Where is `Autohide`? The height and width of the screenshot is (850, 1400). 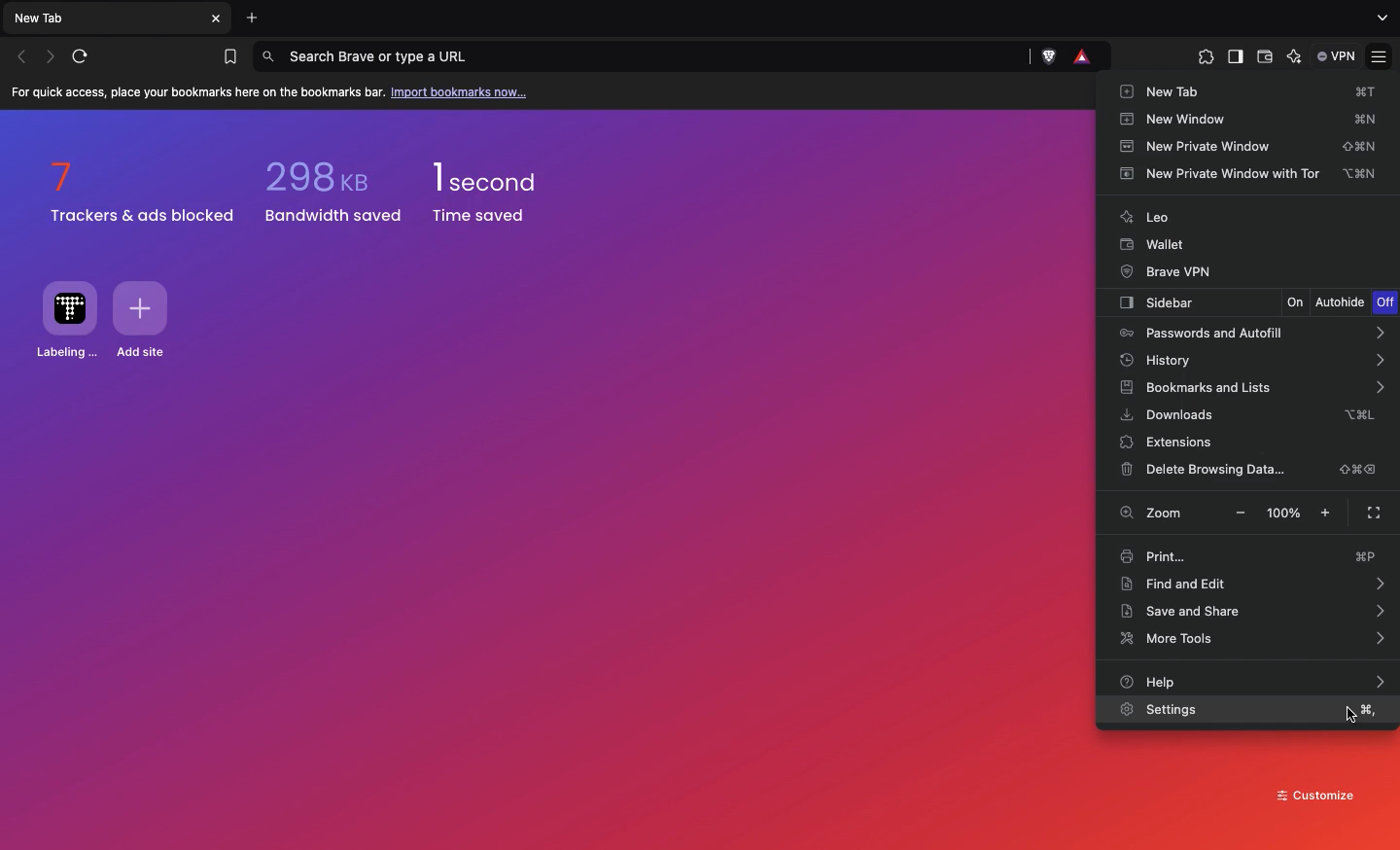
Autohide is located at coordinates (1343, 303).